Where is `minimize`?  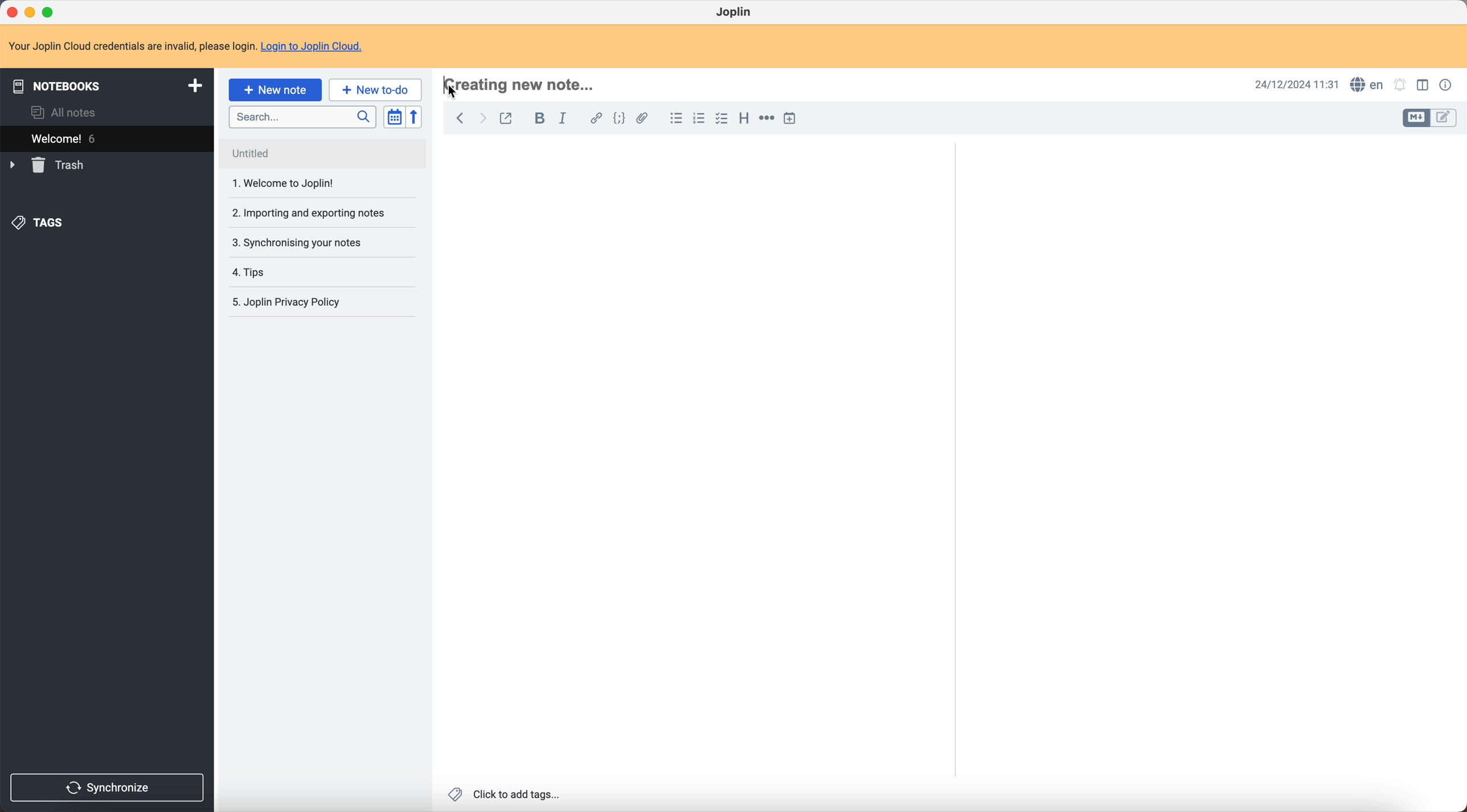
minimize is located at coordinates (30, 11).